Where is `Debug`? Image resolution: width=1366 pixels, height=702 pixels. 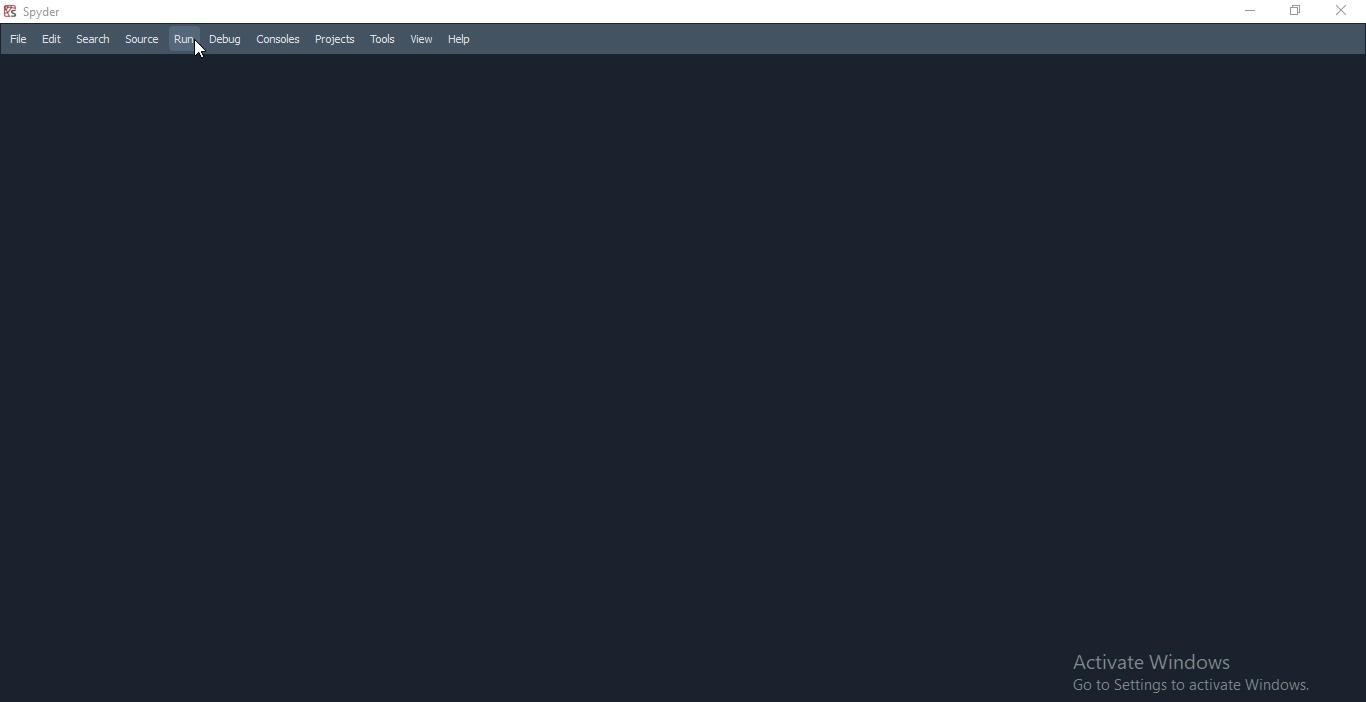 Debug is located at coordinates (223, 37).